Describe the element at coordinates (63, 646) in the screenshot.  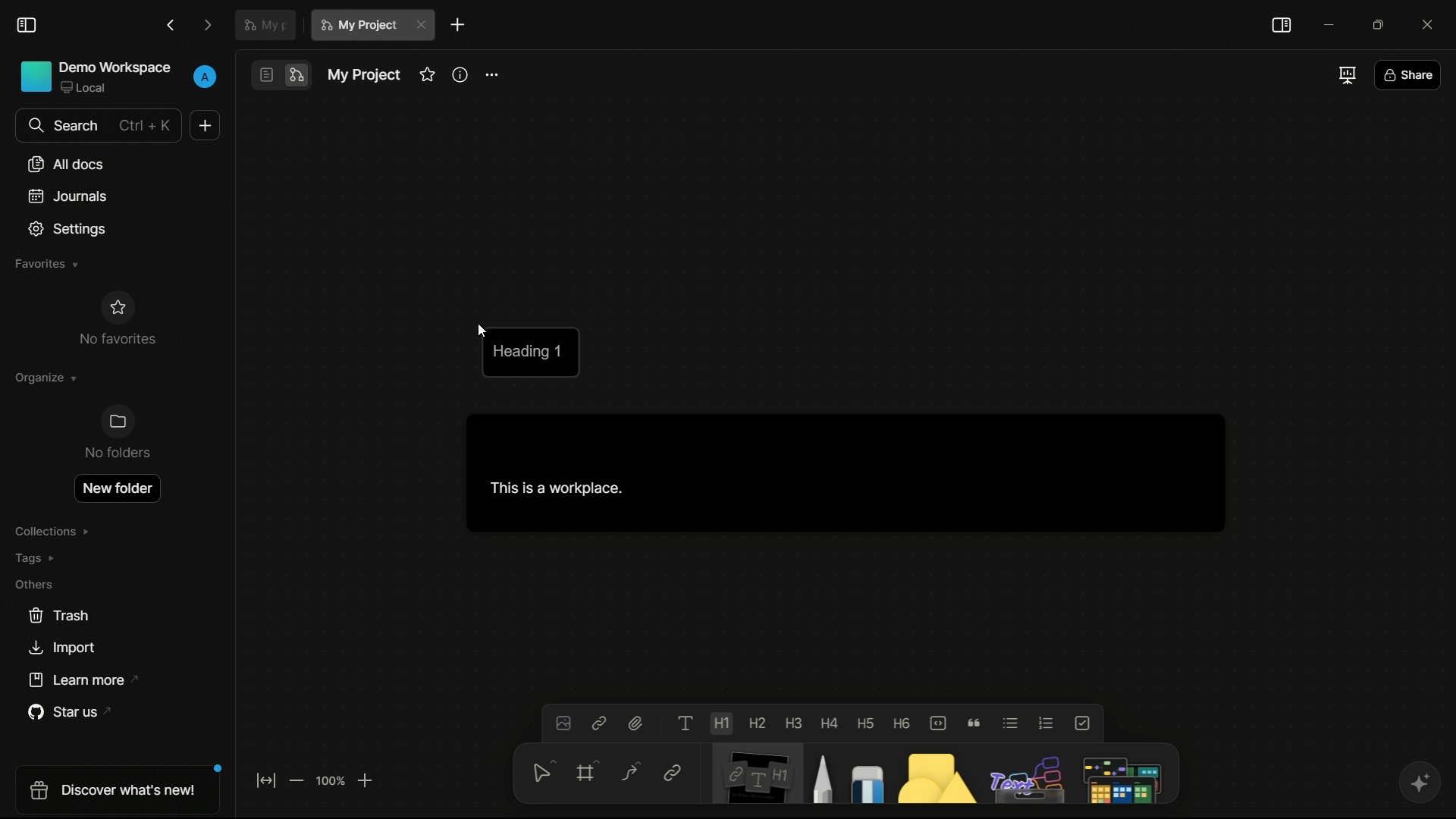
I see `import` at that location.